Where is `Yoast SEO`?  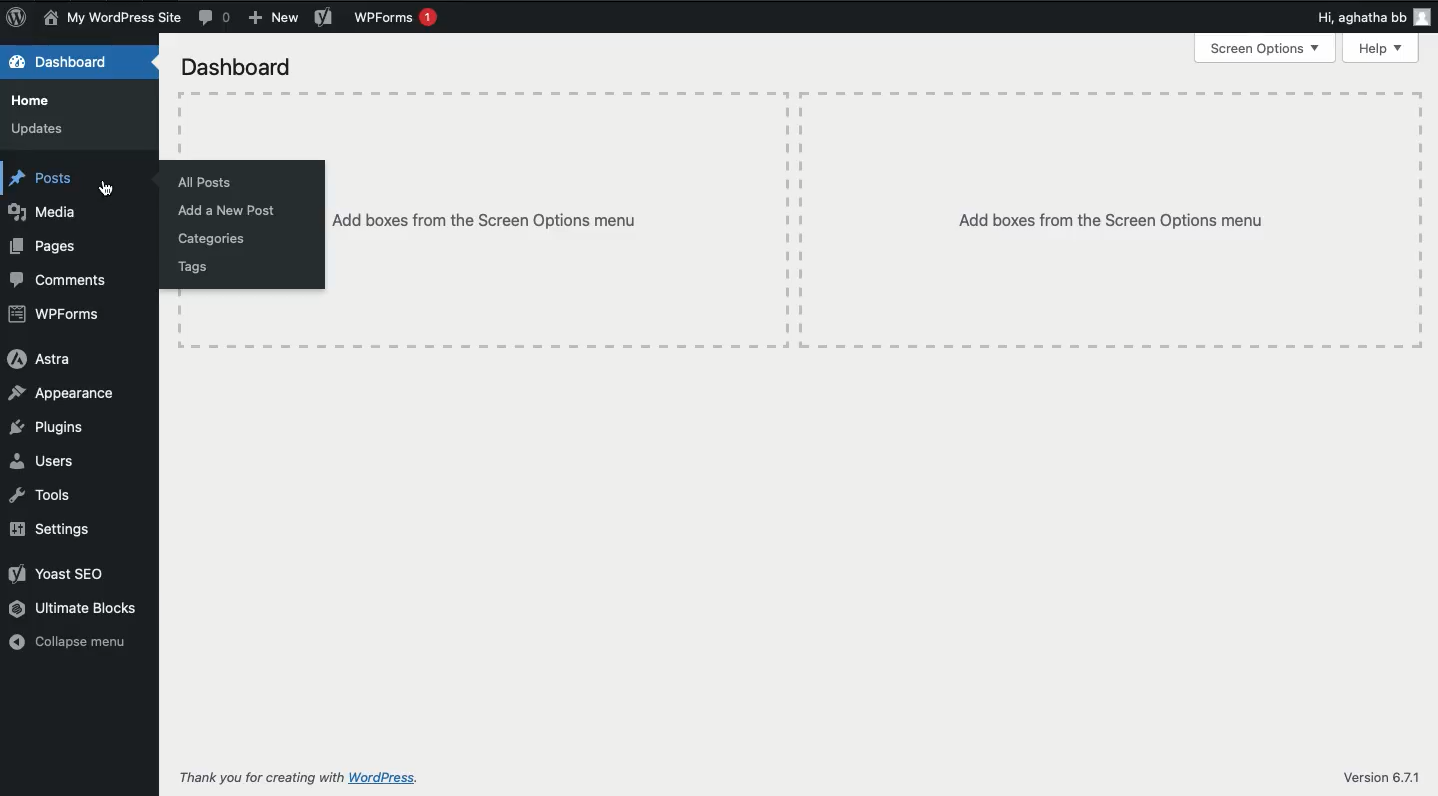 Yoast SEO is located at coordinates (59, 574).